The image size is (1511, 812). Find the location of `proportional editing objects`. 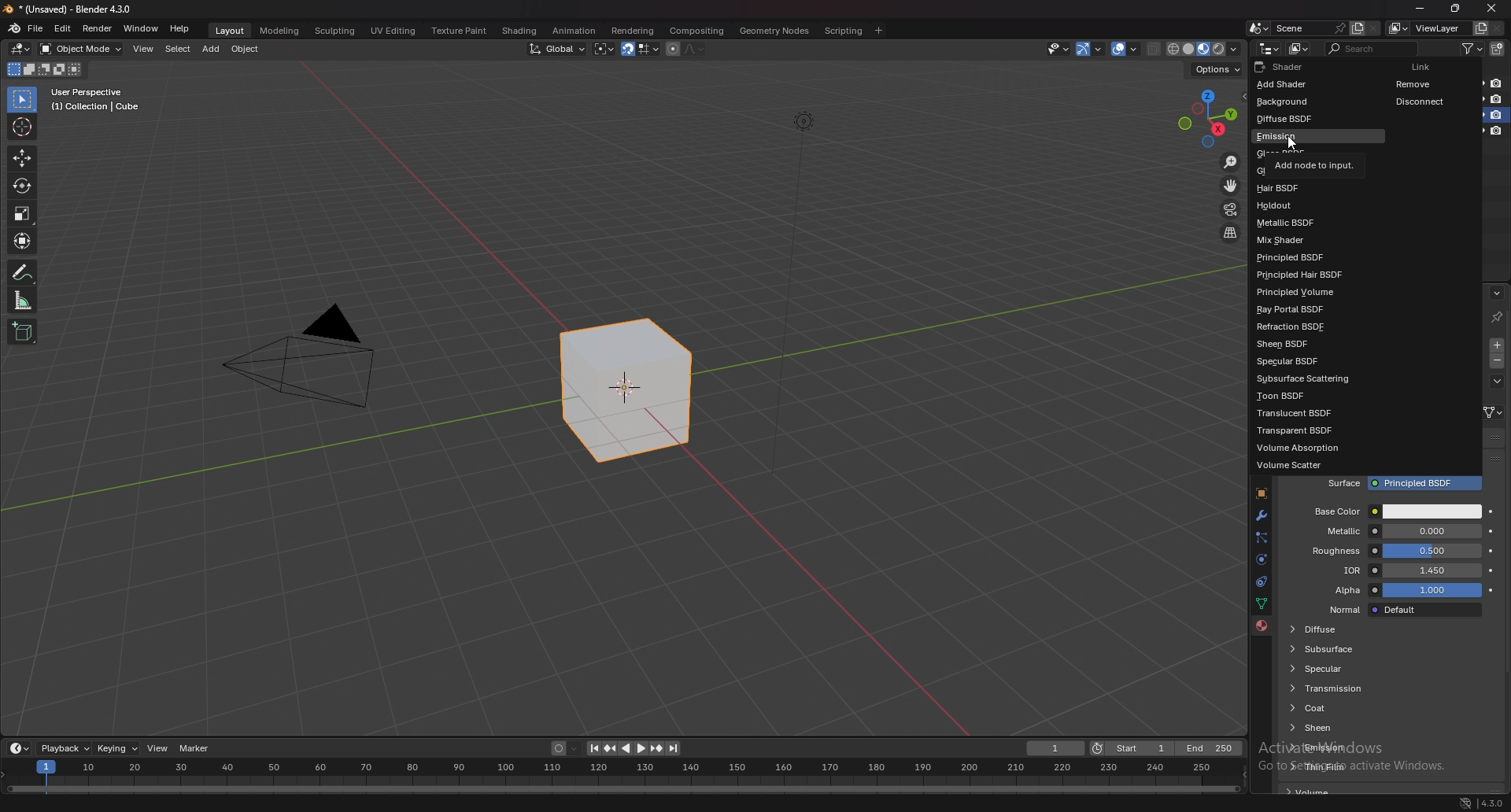

proportional editing objects is located at coordinates (671, 49).